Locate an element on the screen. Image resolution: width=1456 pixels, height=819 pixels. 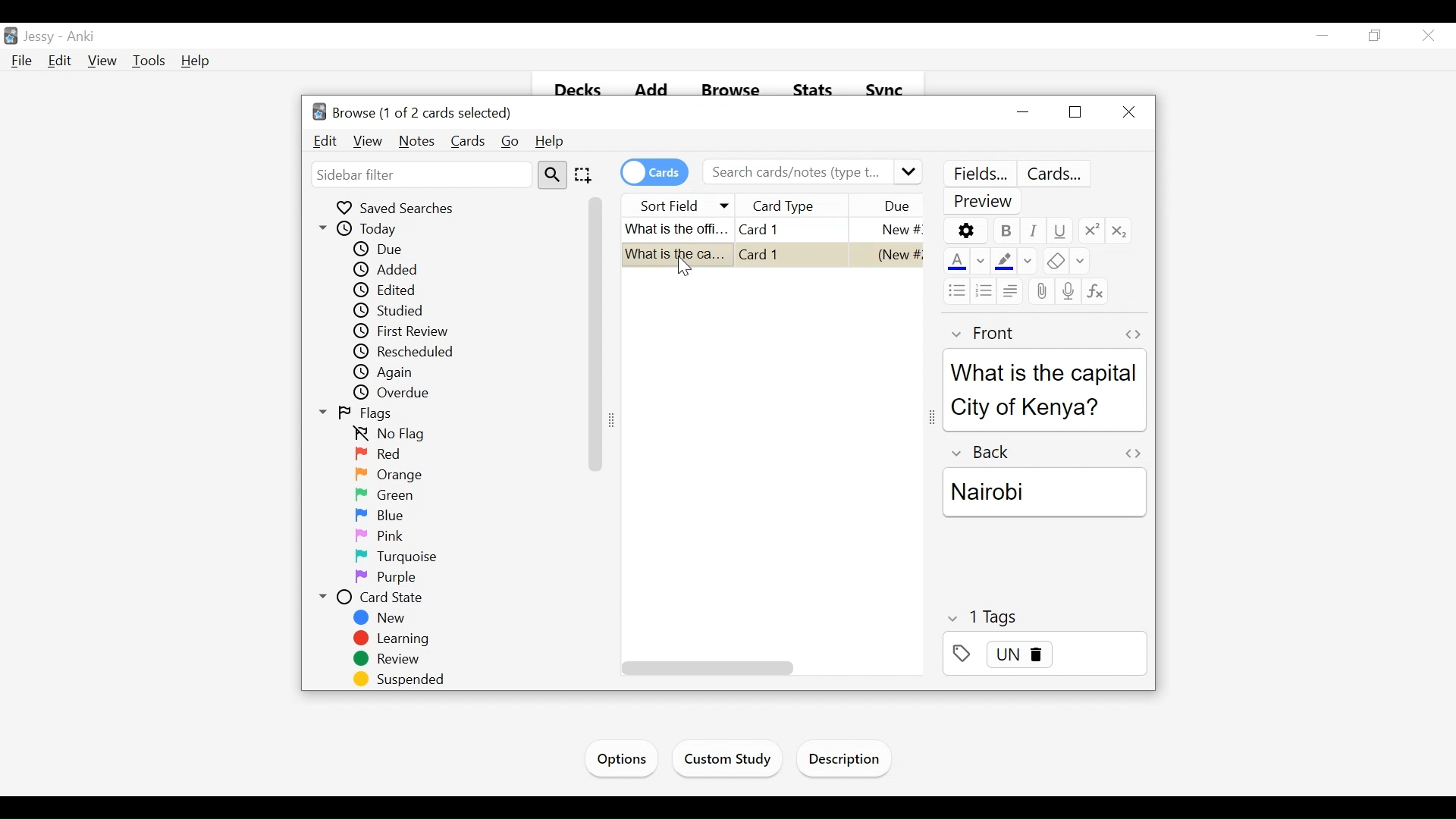
minimize is located at coordinates (1022, 112).